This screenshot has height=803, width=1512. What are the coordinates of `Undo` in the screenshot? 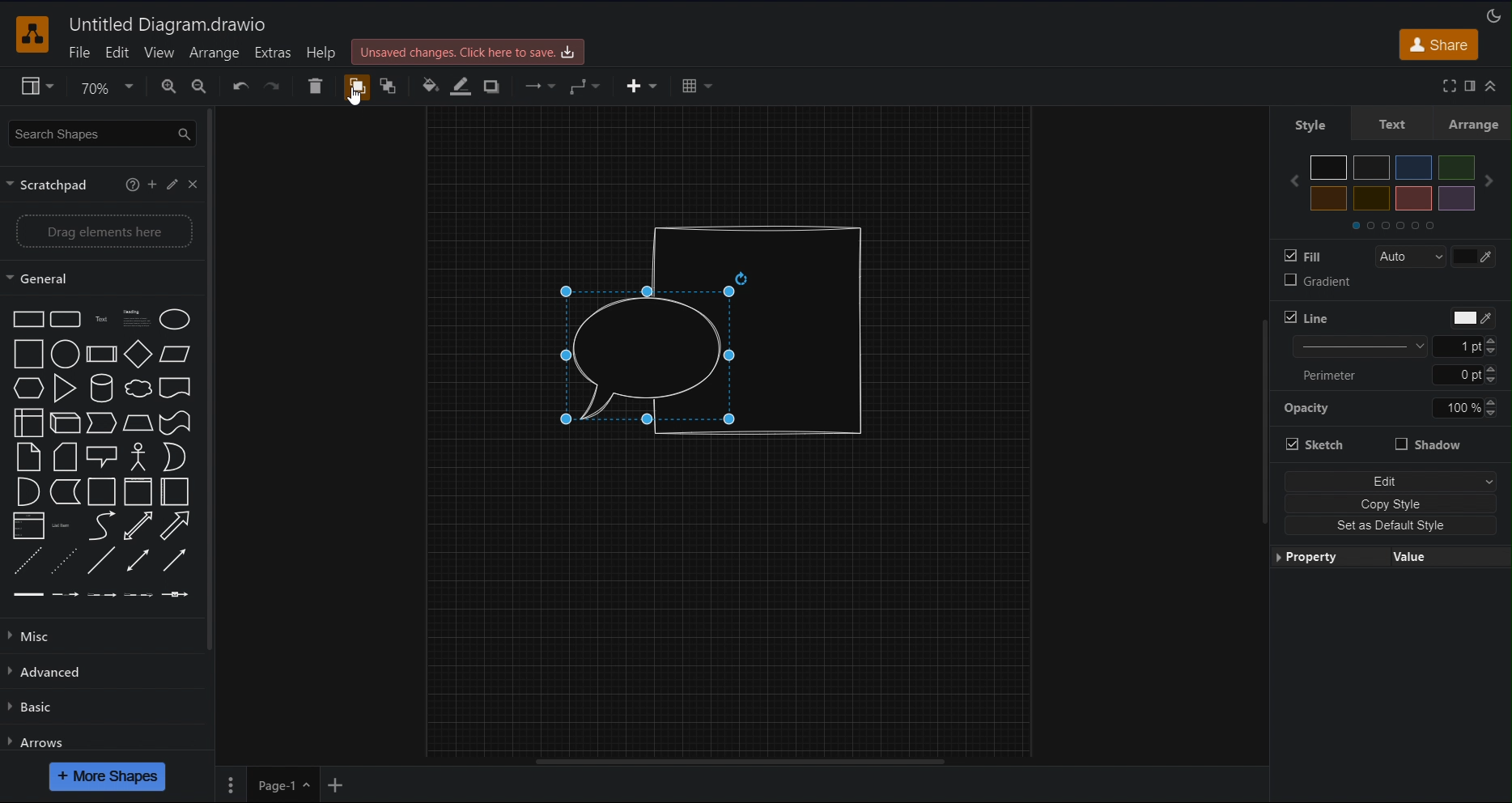 It's located at (239, 86).